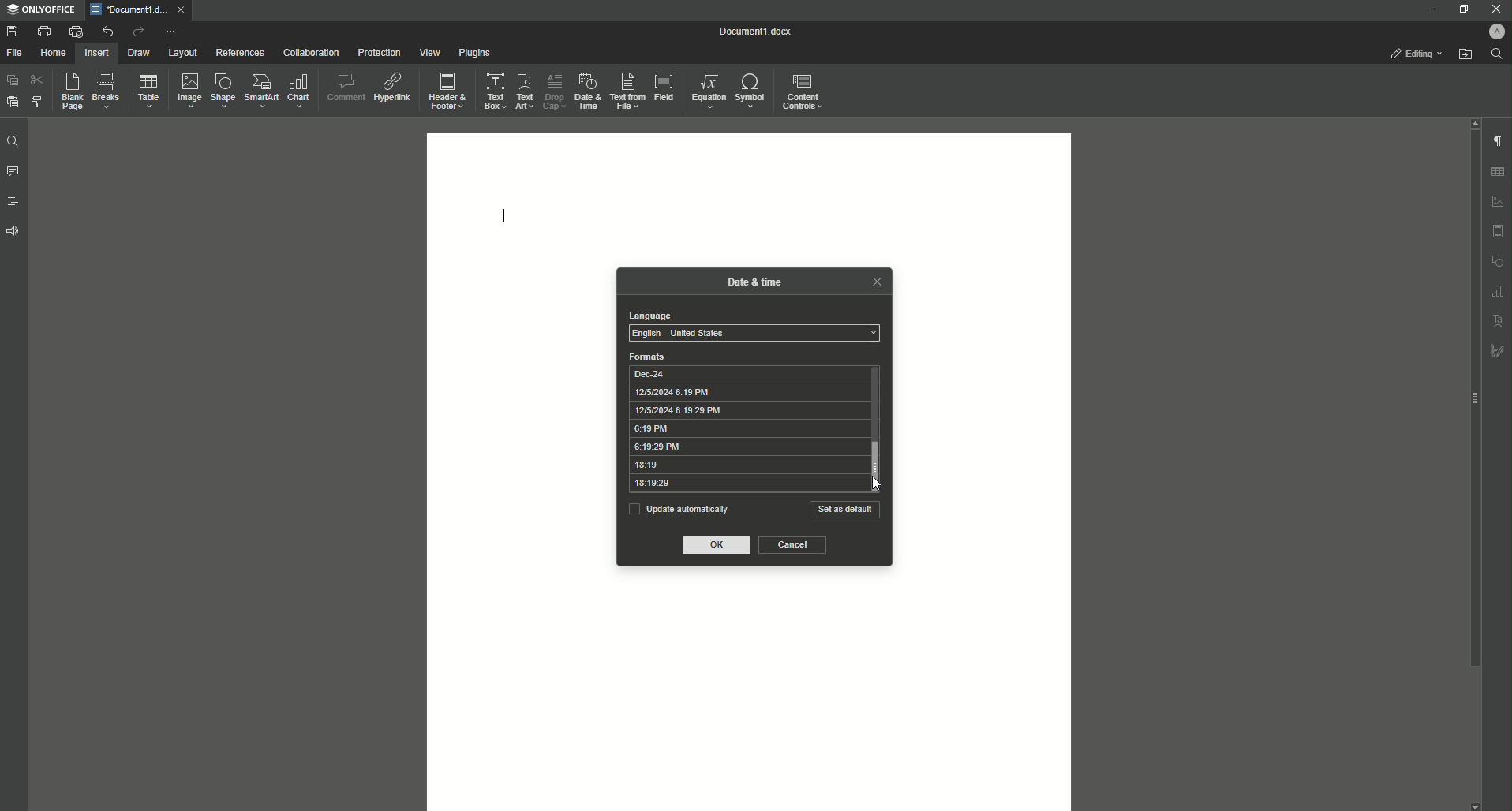  I want to click on Dec-24, so click(747, 373).